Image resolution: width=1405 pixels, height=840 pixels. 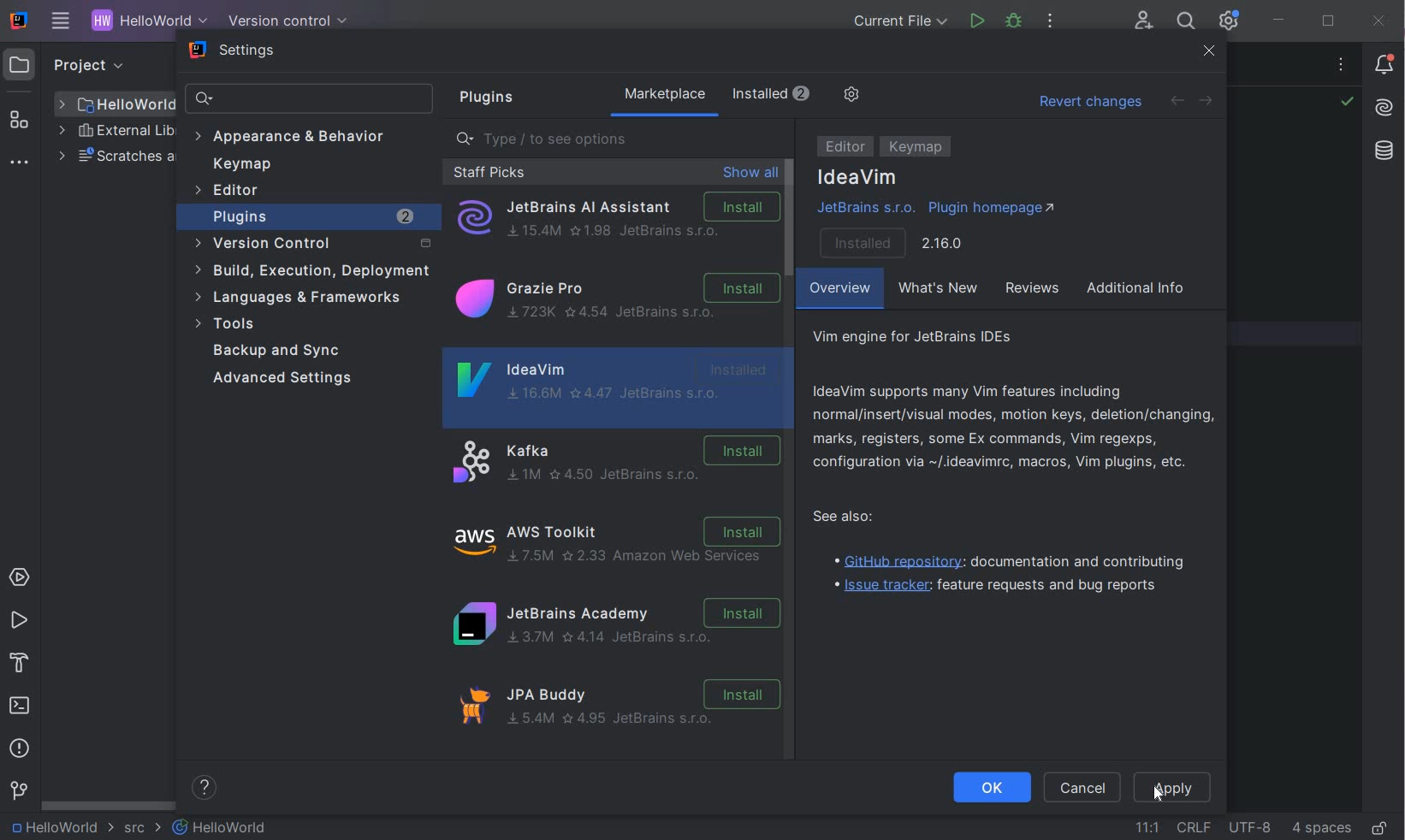 I want to click on settings, so click(x=234, y=52).